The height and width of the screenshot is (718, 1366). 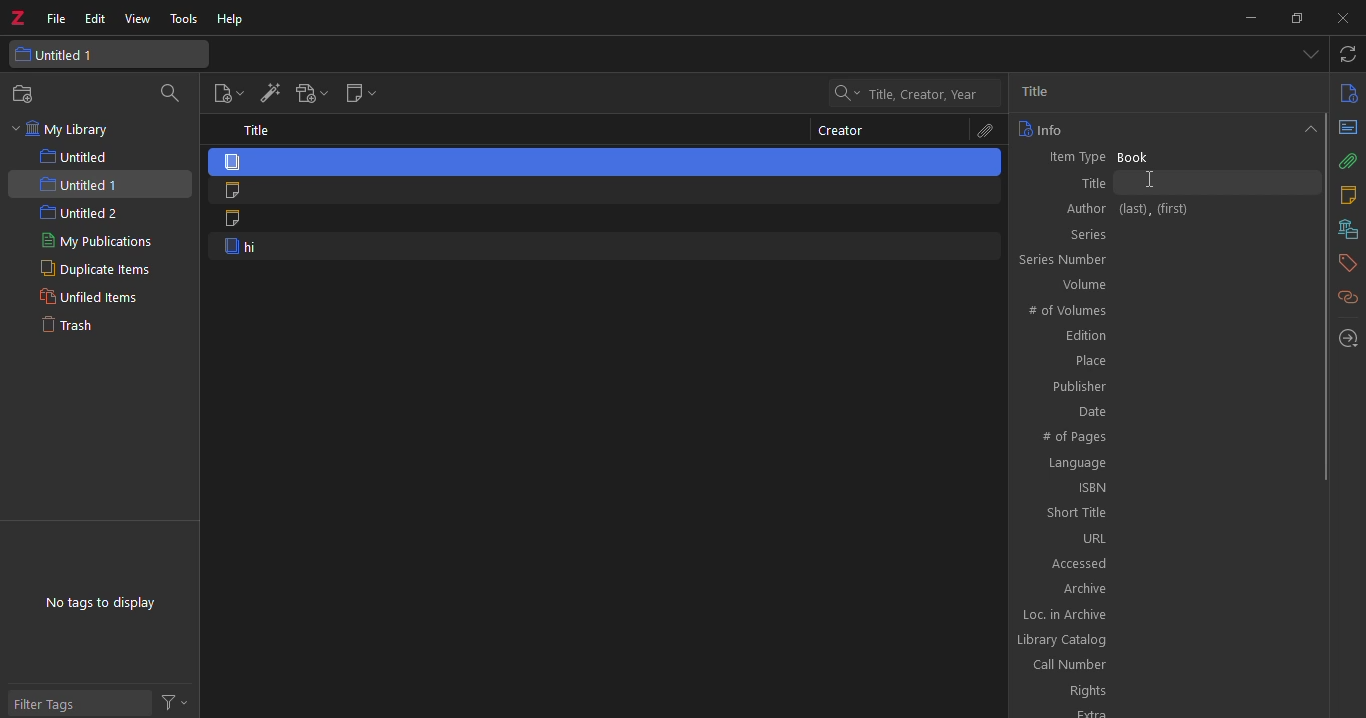 What do you see at coordinates (1348, 261) in the screenshot?
I see `tags` at bounding box center [1348, 261].